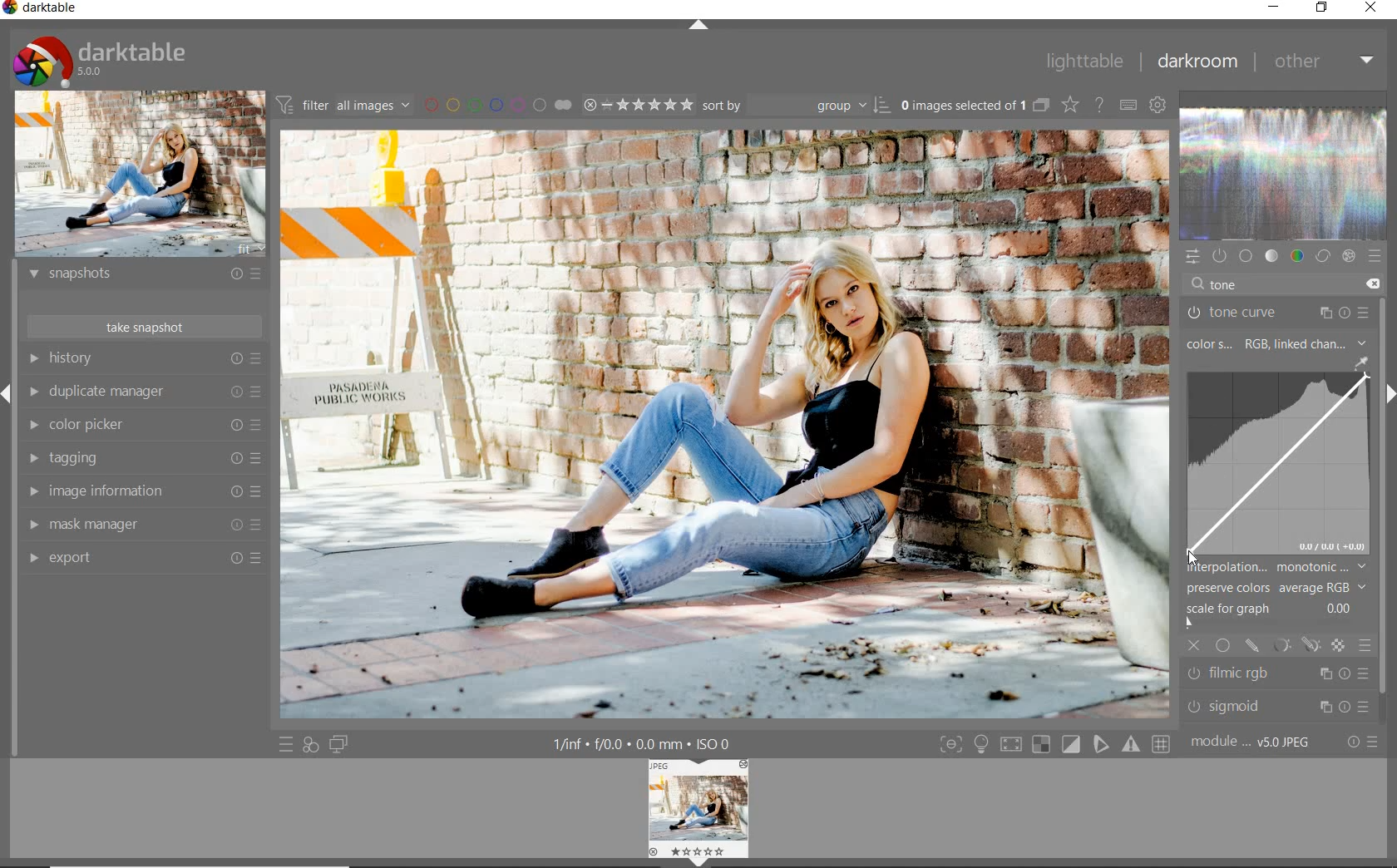 This screenshot has width=1397, height=868. Describe the element at coordinates (1227, 284) in the screenshot. I see `tone` at that location.